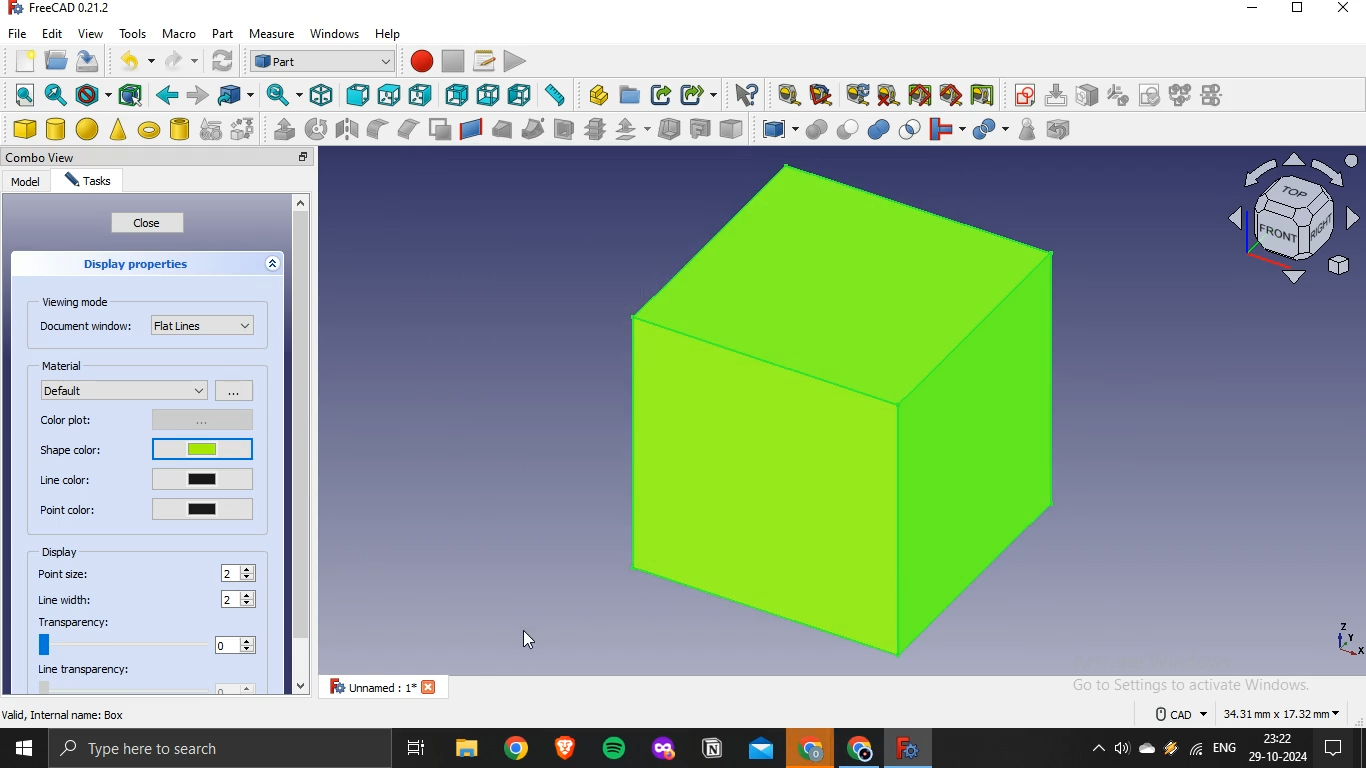 The height and width of the screenshot is (768, 1366). Describe the element at coordinates (66, 573) in the screenshot. I see `point size` at that location.